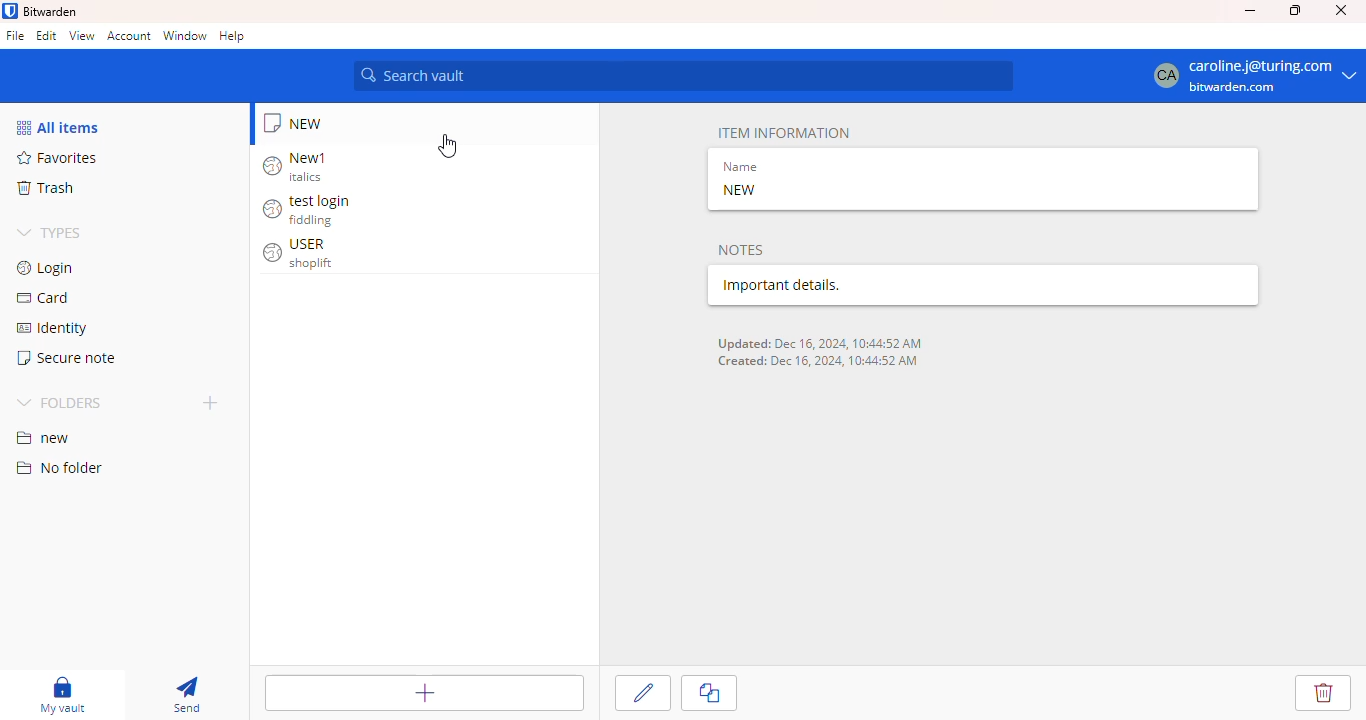 This screenshot has height=720, width=1366. Describe the element at coordinates (1250, 10) in the screenshot. I see `minimize` at that location.